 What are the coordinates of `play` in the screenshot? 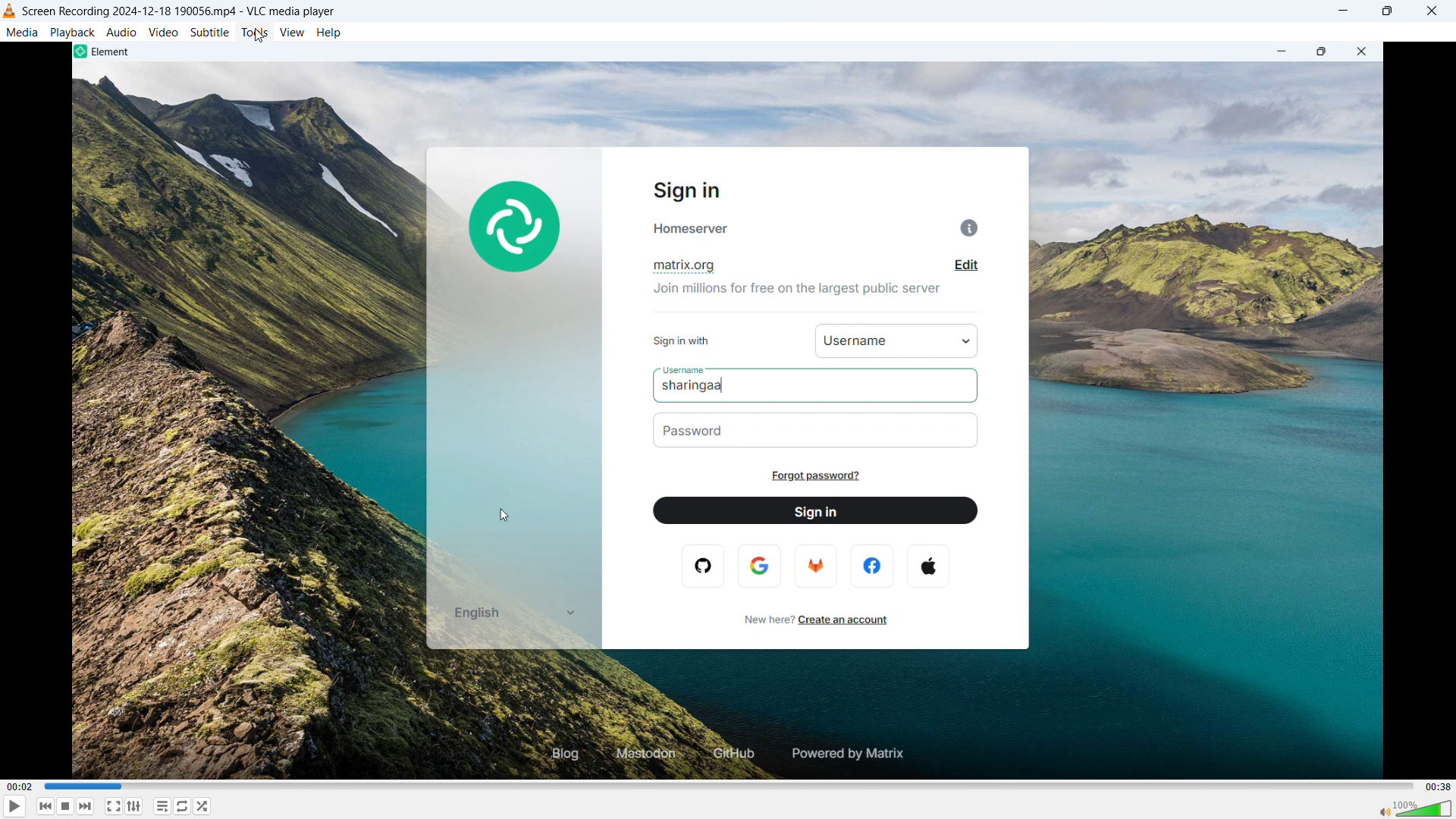 It's located at (16, 807).